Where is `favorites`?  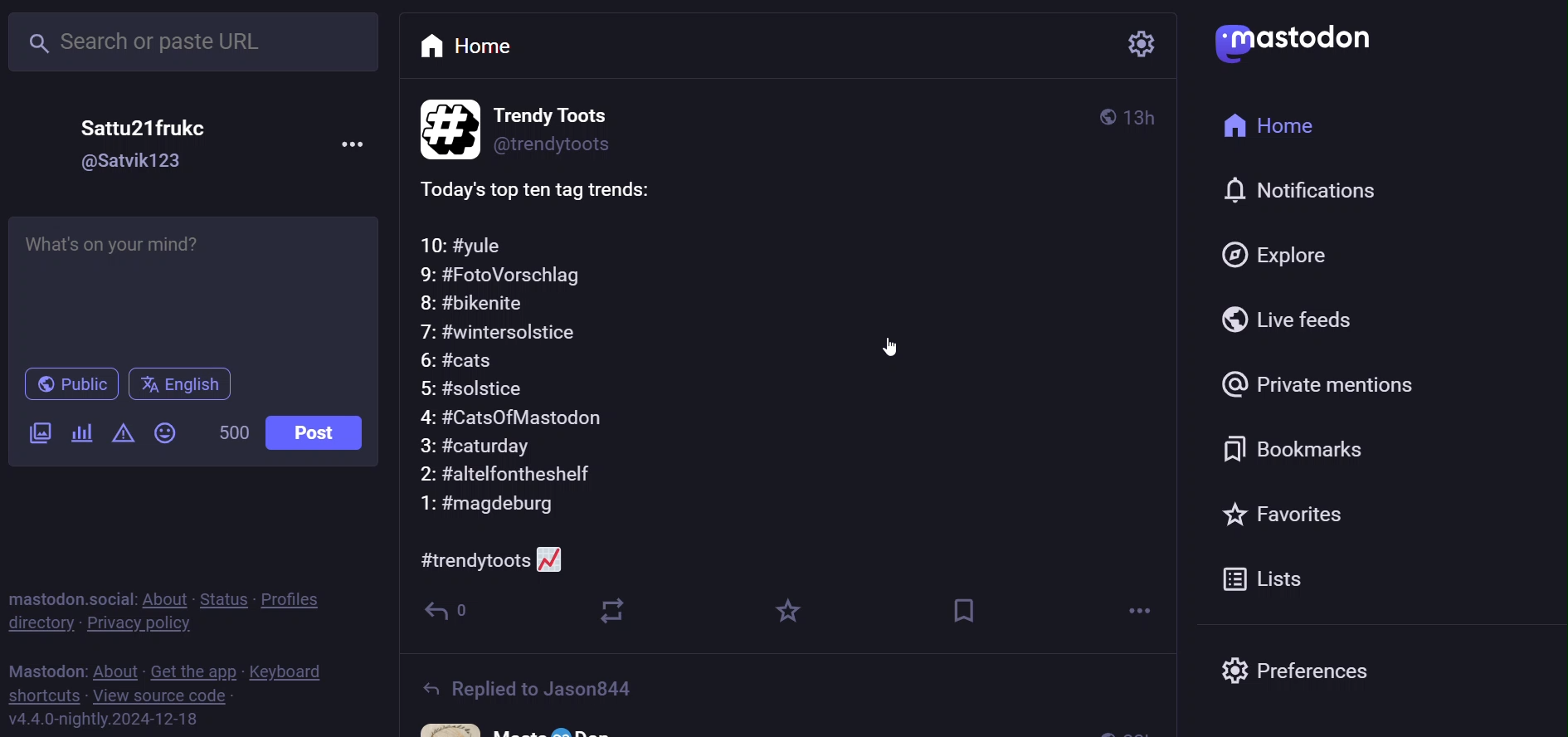 favorites is located at coordinates (1281, 511).